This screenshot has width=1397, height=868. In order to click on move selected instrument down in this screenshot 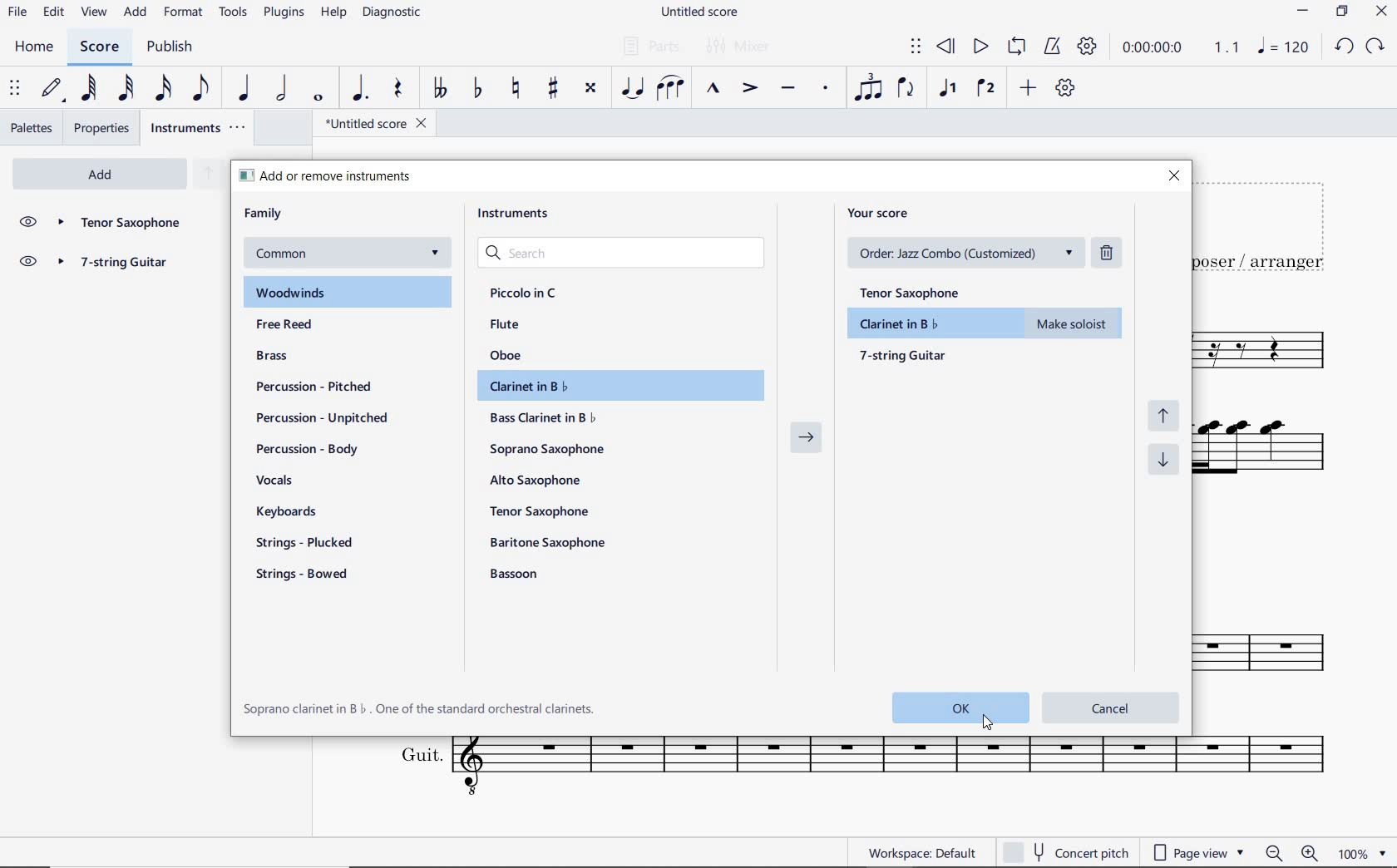, I will do `click(1167, 460)`.